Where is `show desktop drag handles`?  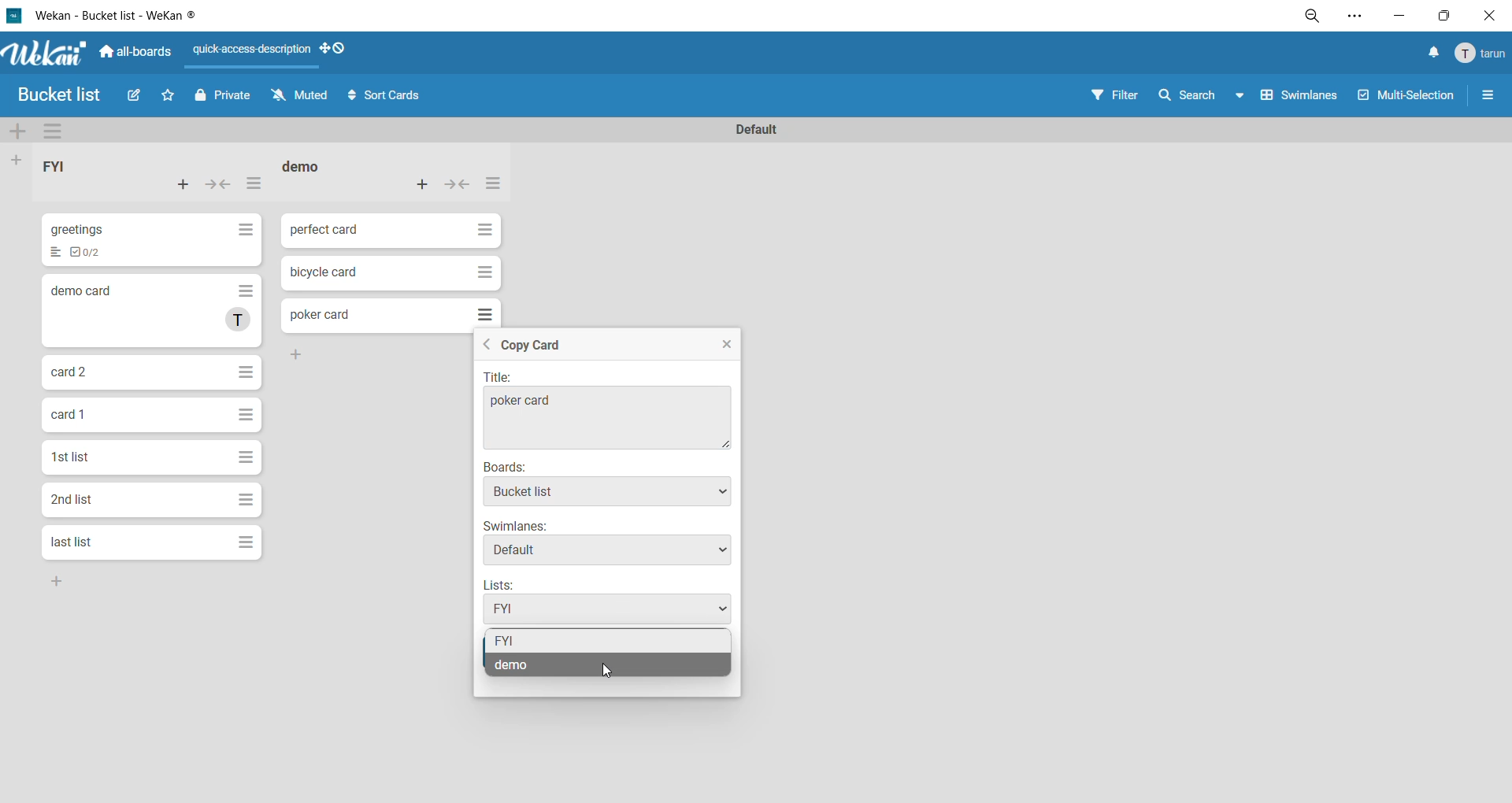 show desktop drag handles is located at coordinates (339, 50).